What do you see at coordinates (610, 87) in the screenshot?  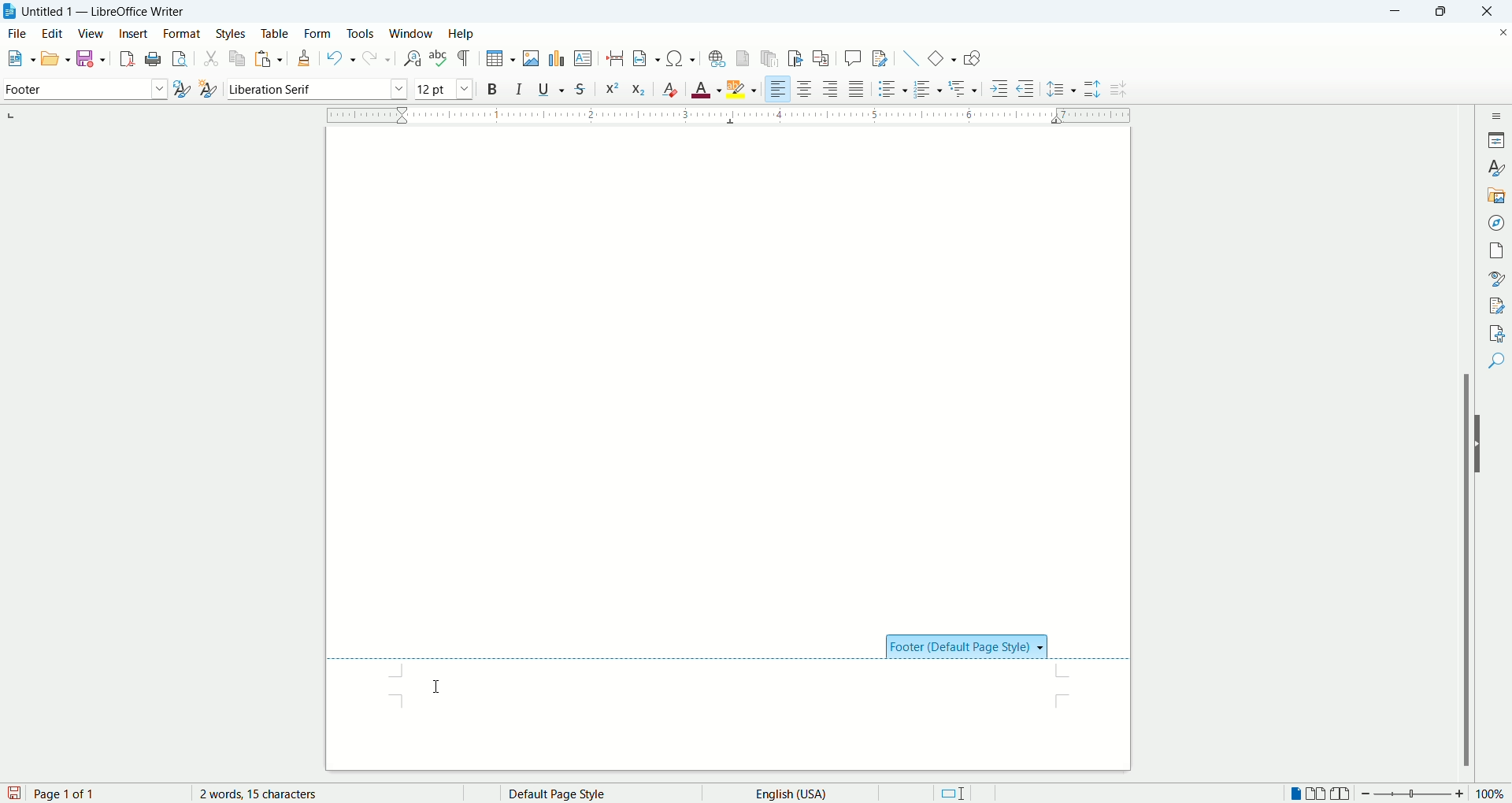 I see `superscript` at bounding box center [610, 87].